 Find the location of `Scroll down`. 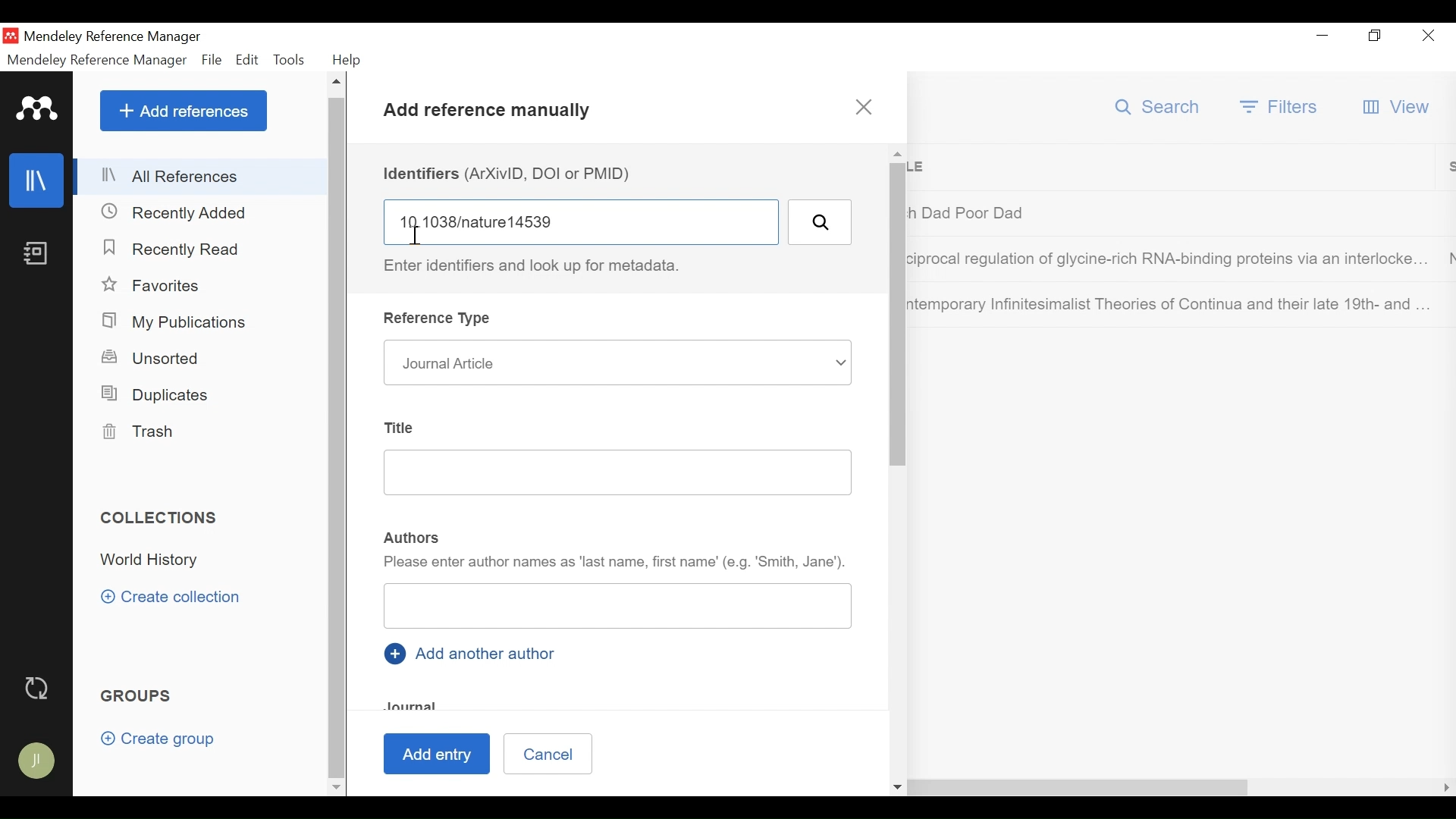

Scroll down is located at coordinates (336, 786).